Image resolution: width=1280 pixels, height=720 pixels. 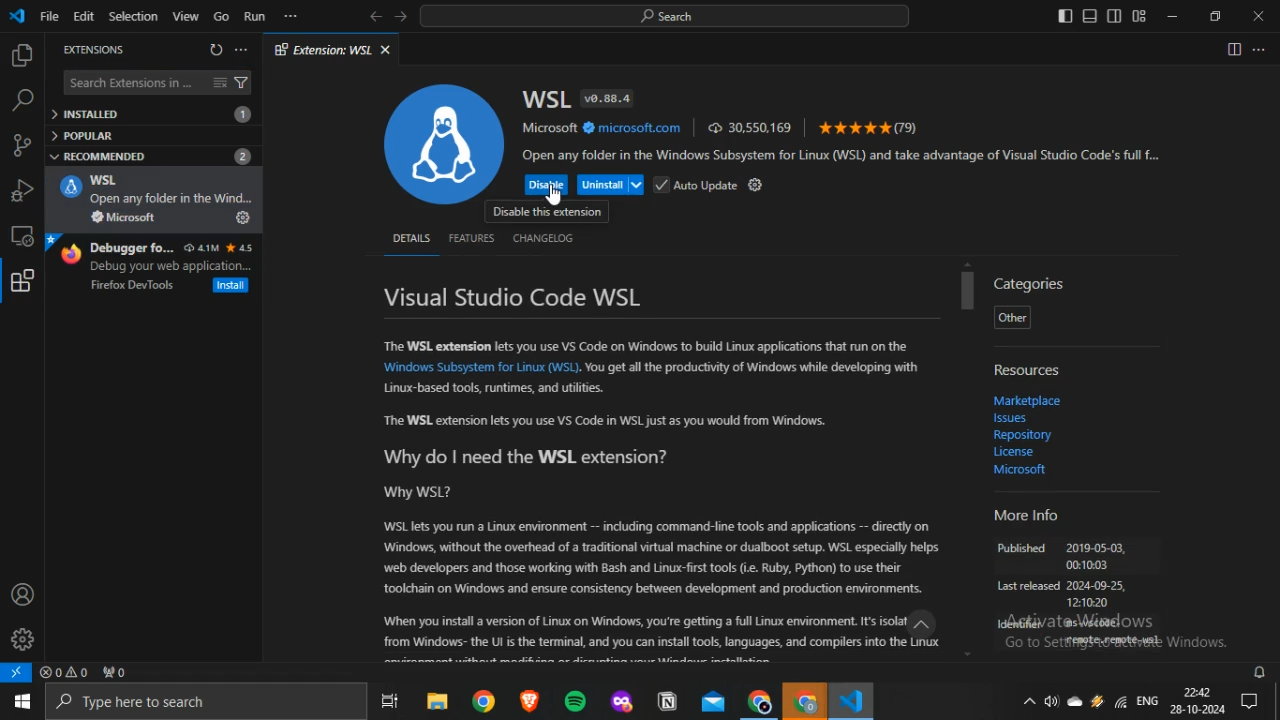 What do you see at coordinates (576, 701) in the screenshot?
I see `spotify` at bounding box center [576, 701].